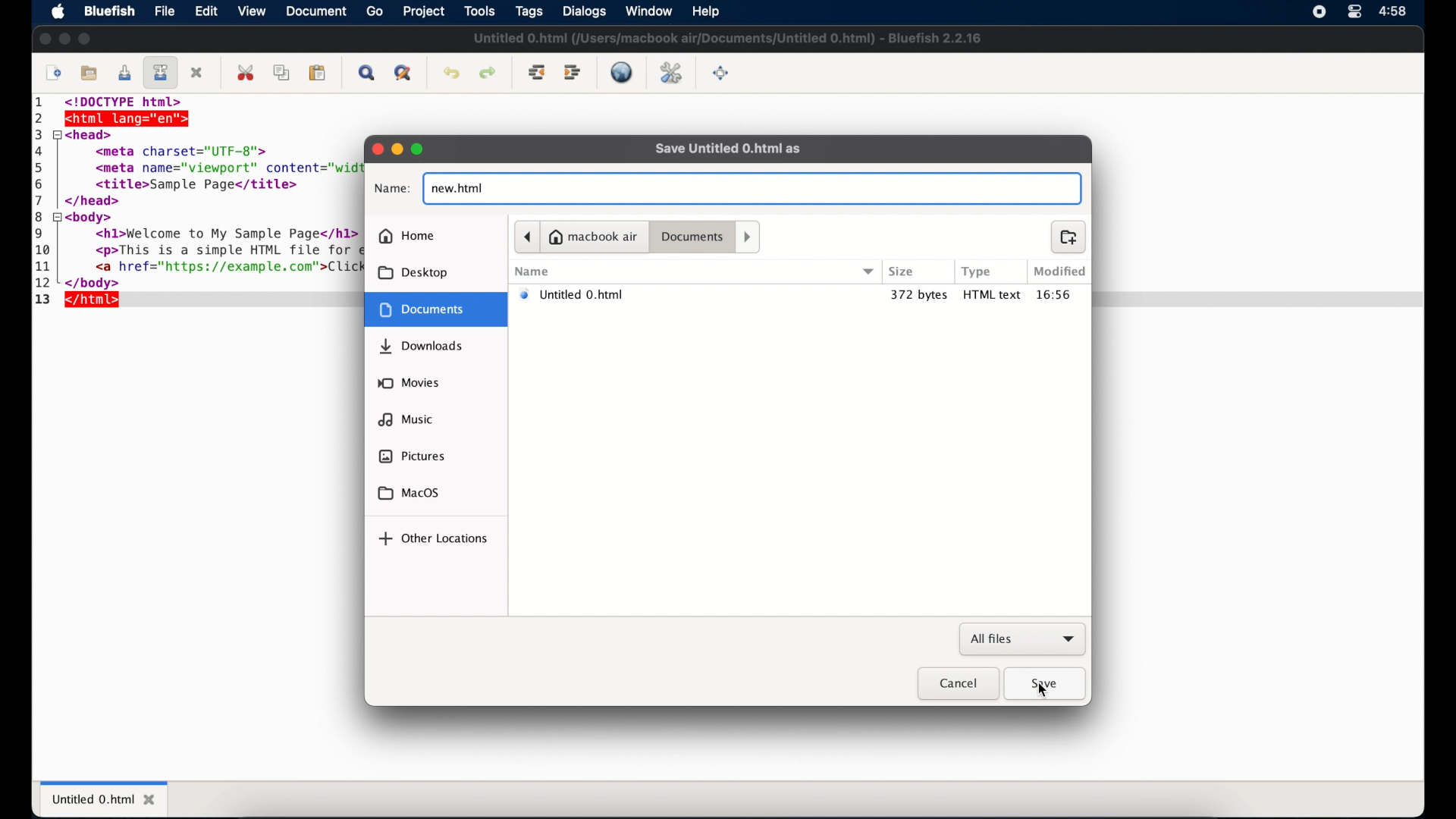 The image size is (1456, 819). I want to click on 4, so click(40, 150).